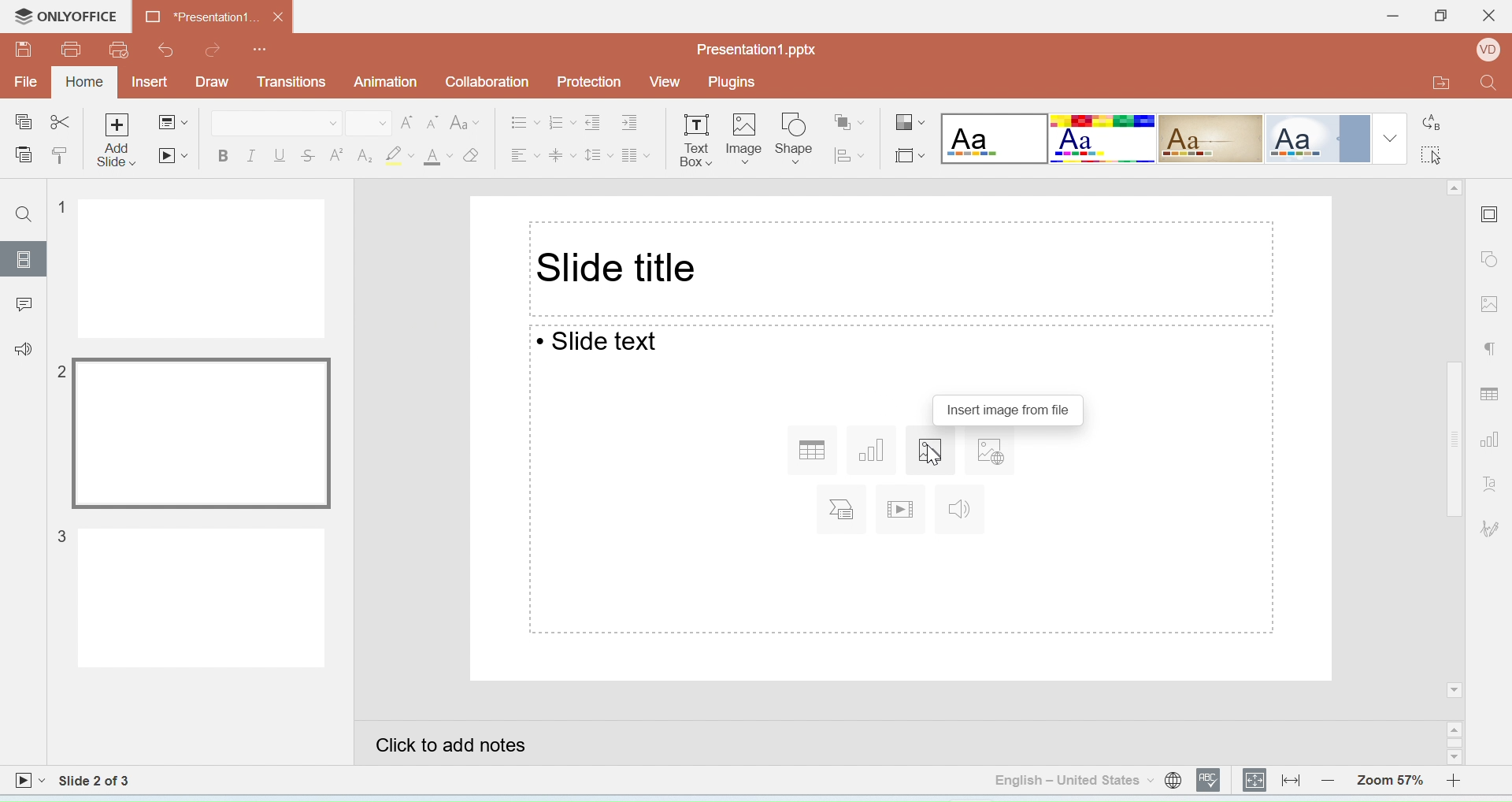  Describe the element at coordinates (1492, 303) in the screenshot. I see `Image settings` at that location.